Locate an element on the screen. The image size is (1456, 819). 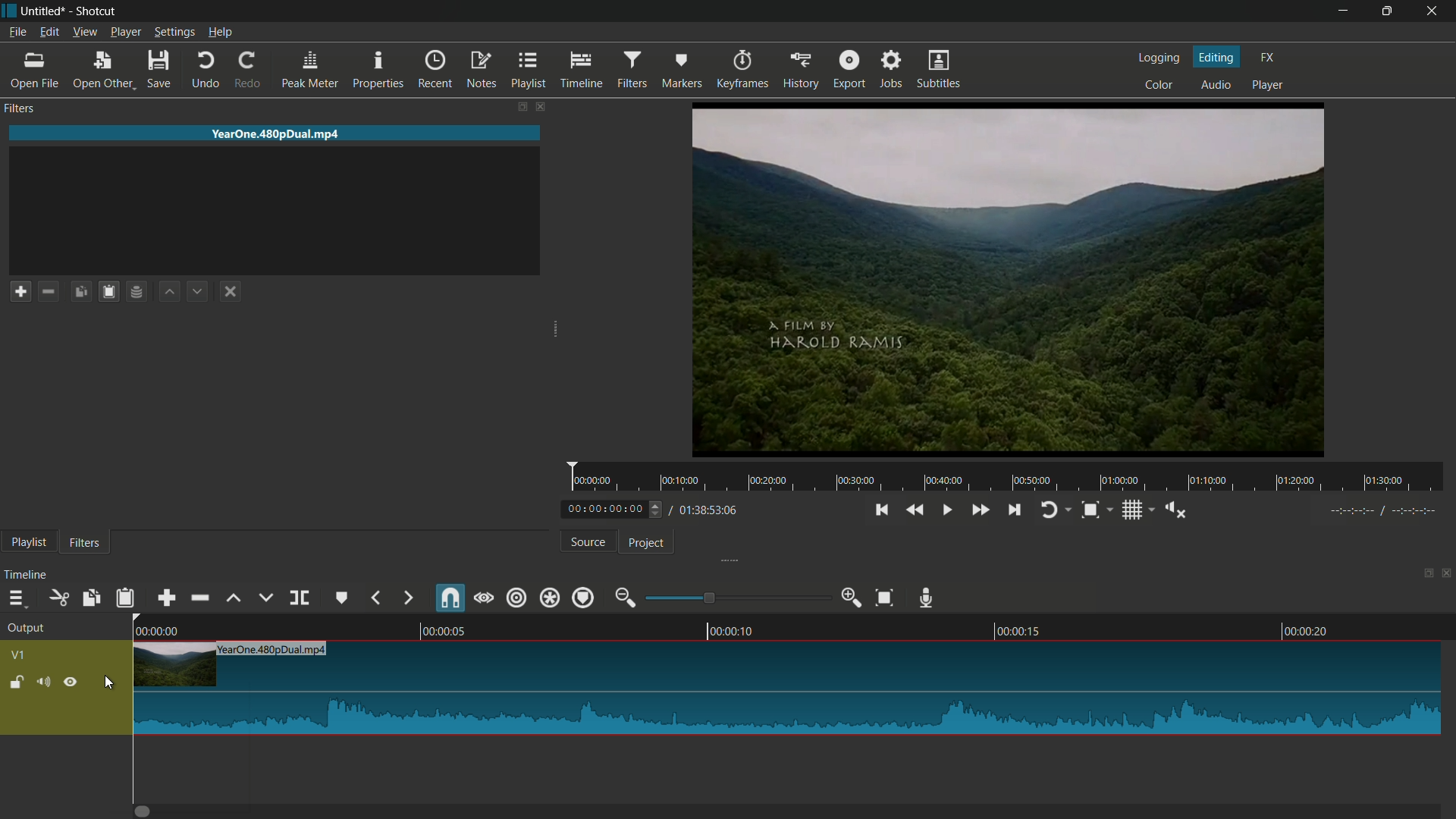
logging is located at coordinates (1161, 59).